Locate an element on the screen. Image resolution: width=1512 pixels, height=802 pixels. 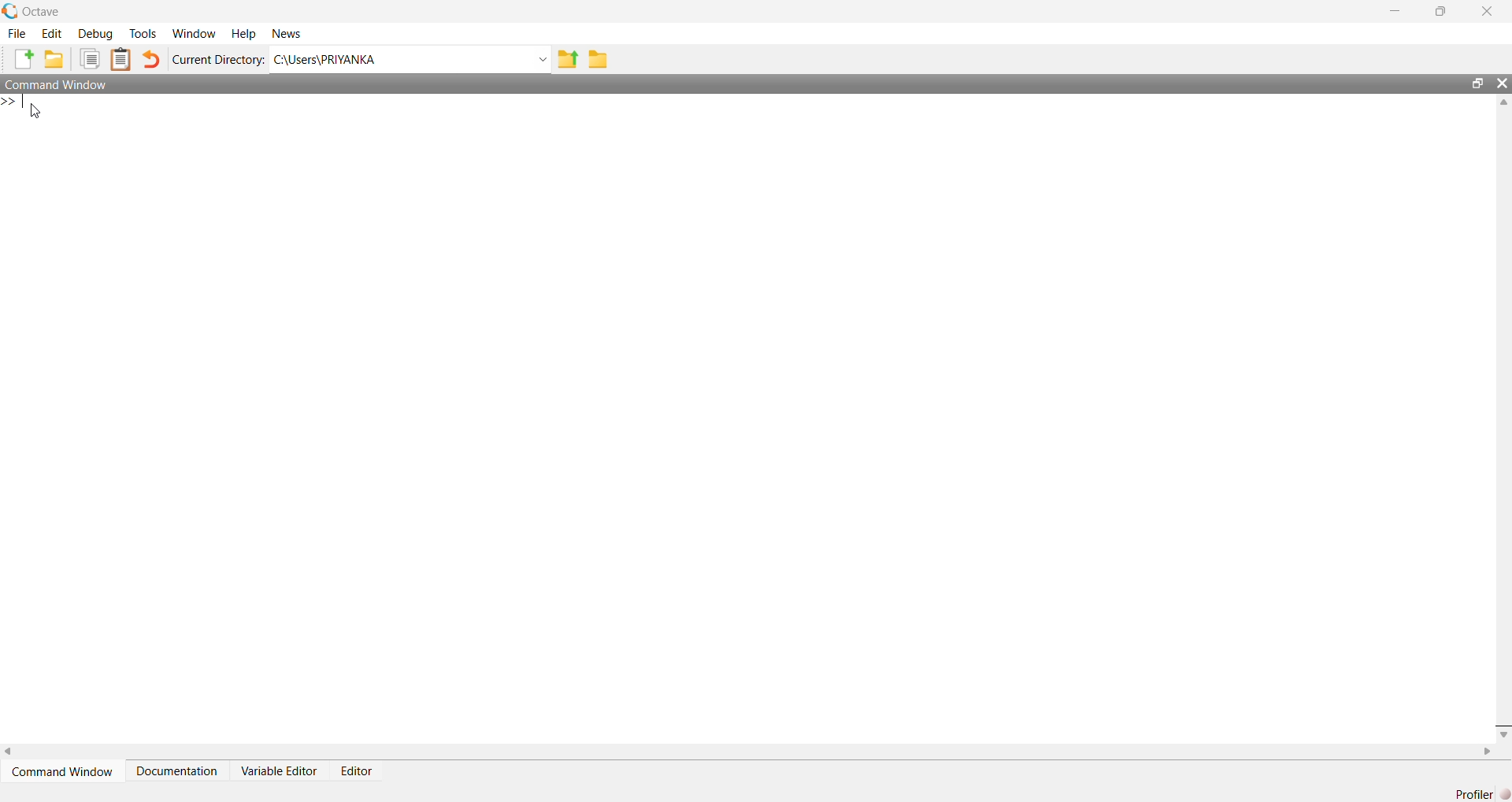
undo is located at coordinates (151, 60).